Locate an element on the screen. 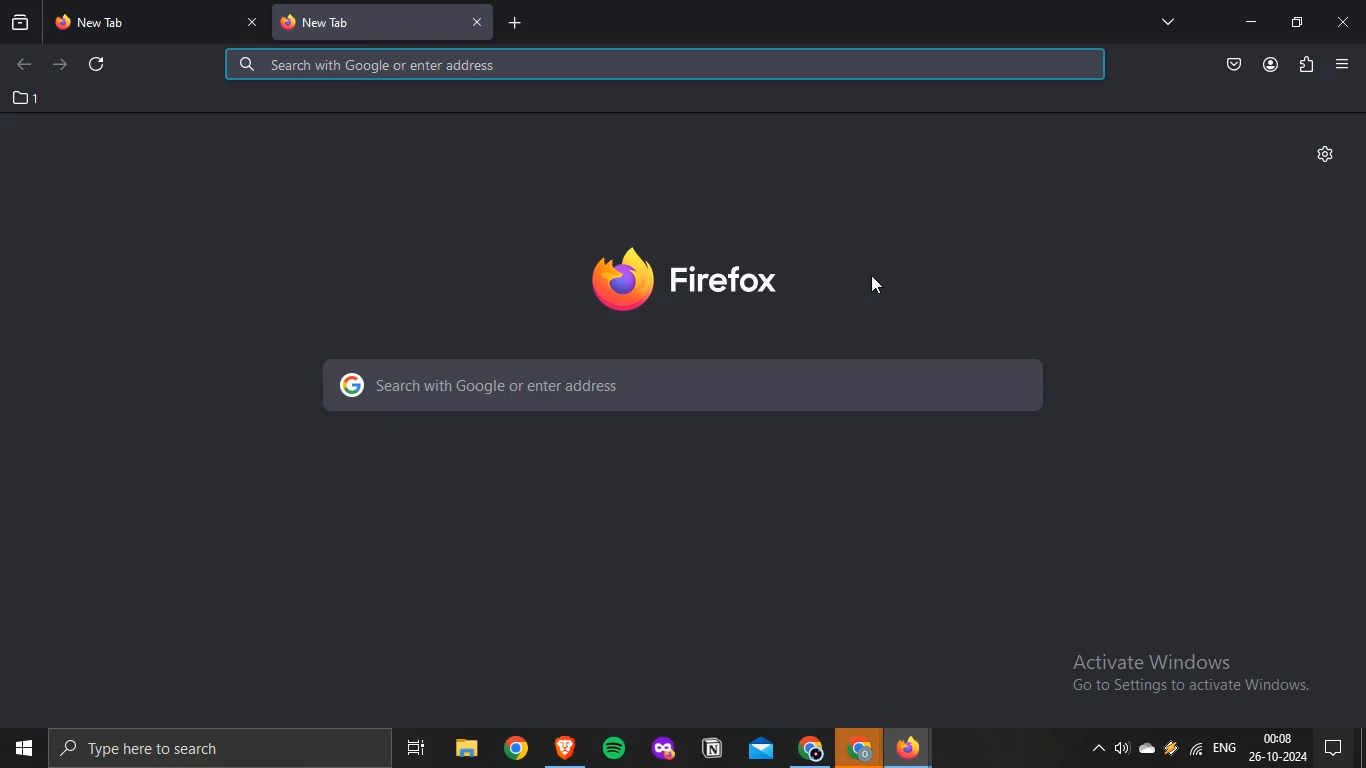  all tabs is located at coordinates (1168, 21).